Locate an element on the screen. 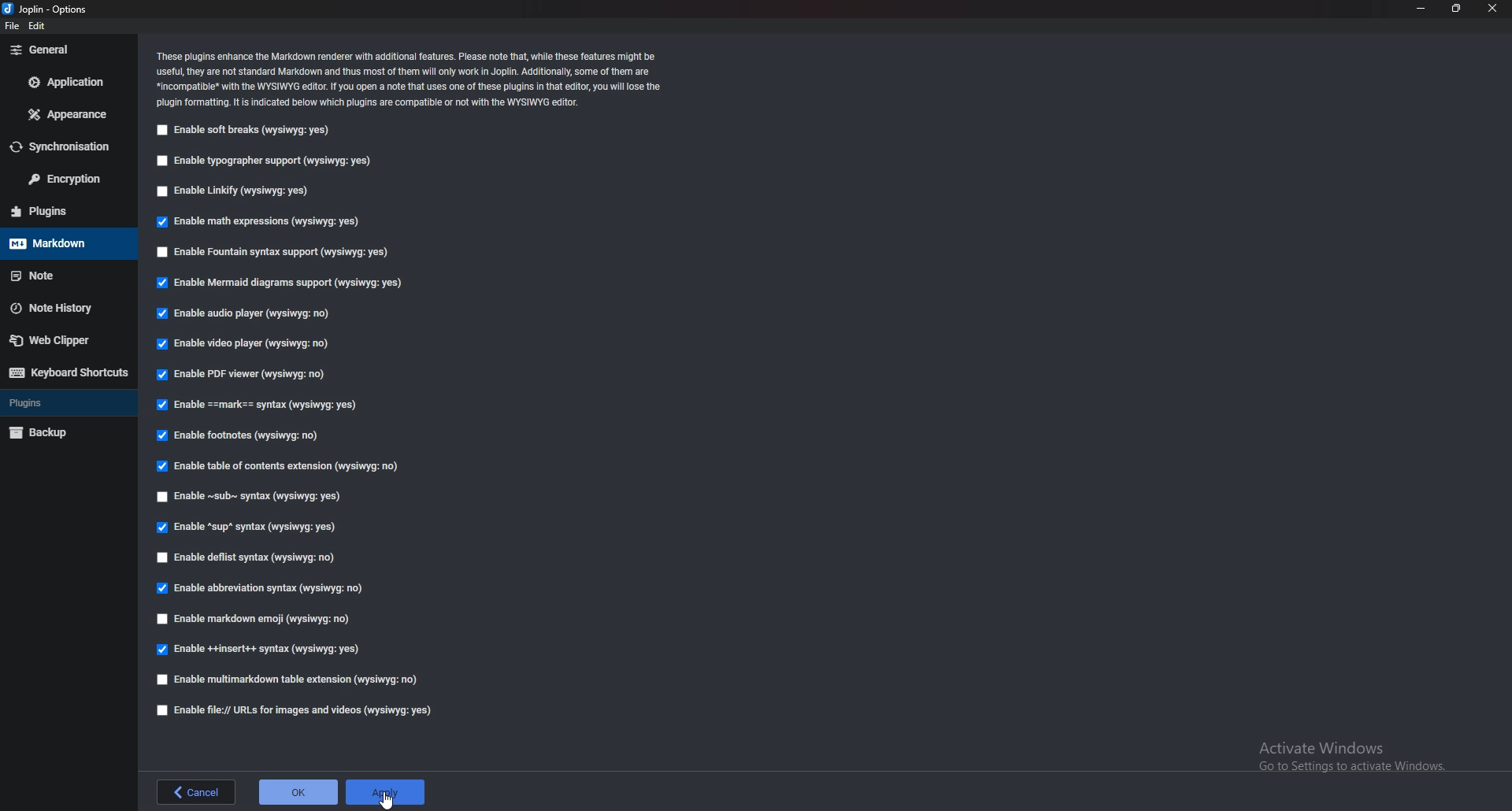  Note is located at coordinates (61, 276).